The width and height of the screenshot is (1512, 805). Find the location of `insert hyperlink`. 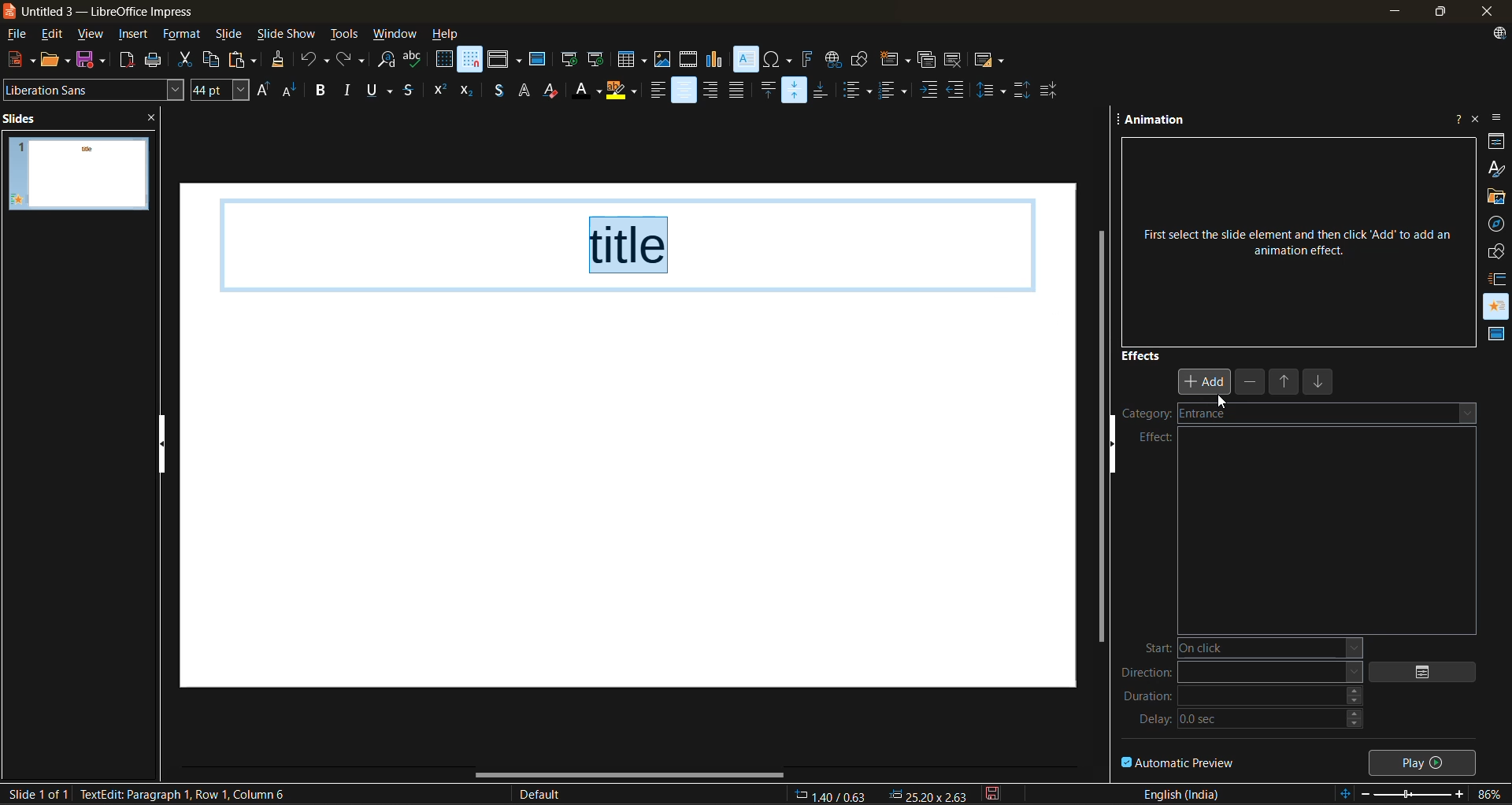

insert hyperlink is located at coordinates (832, 59).